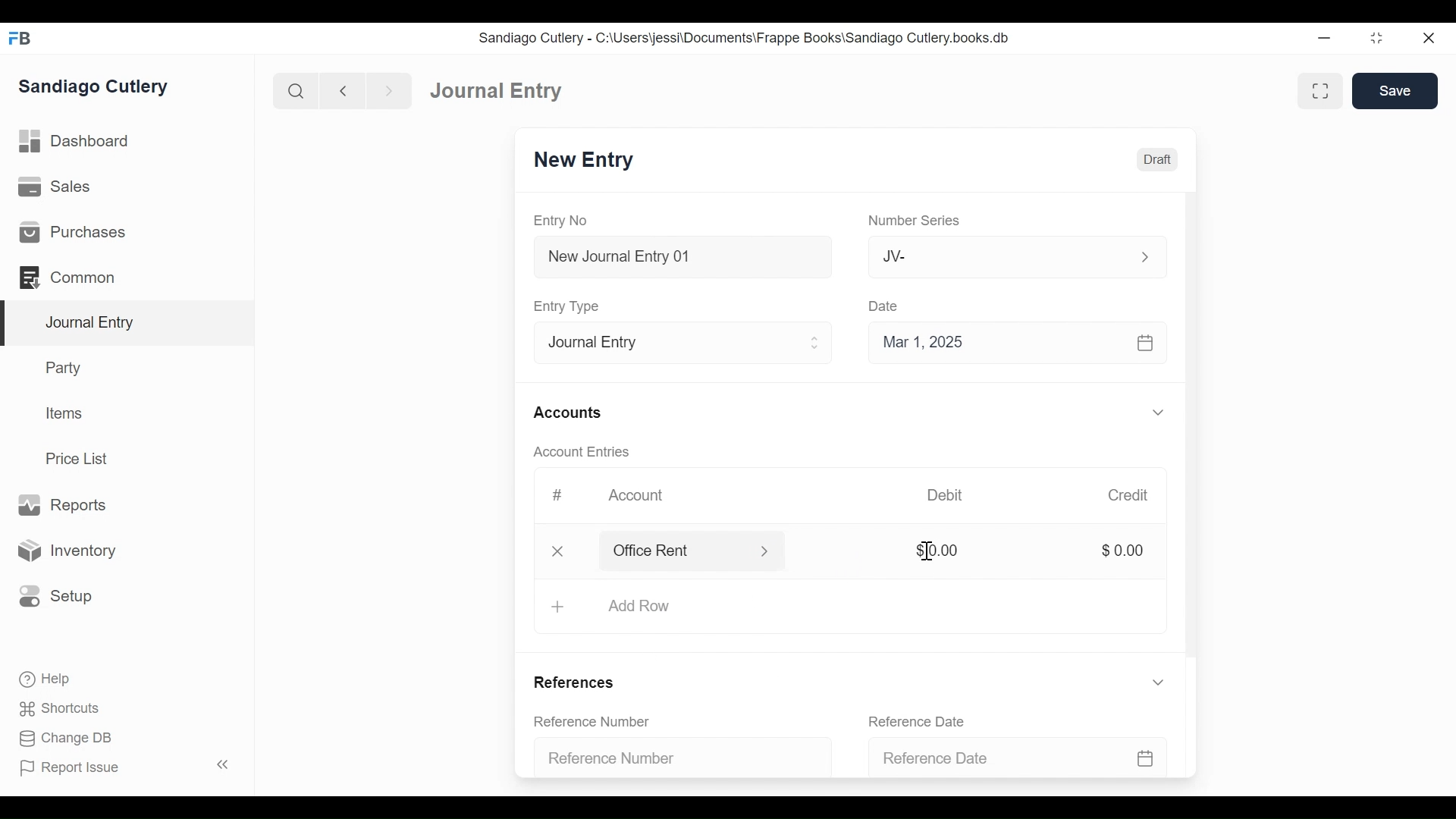 This screenshot has height=819, width=1456. I want to click on Entry Type, so click(566, 306).